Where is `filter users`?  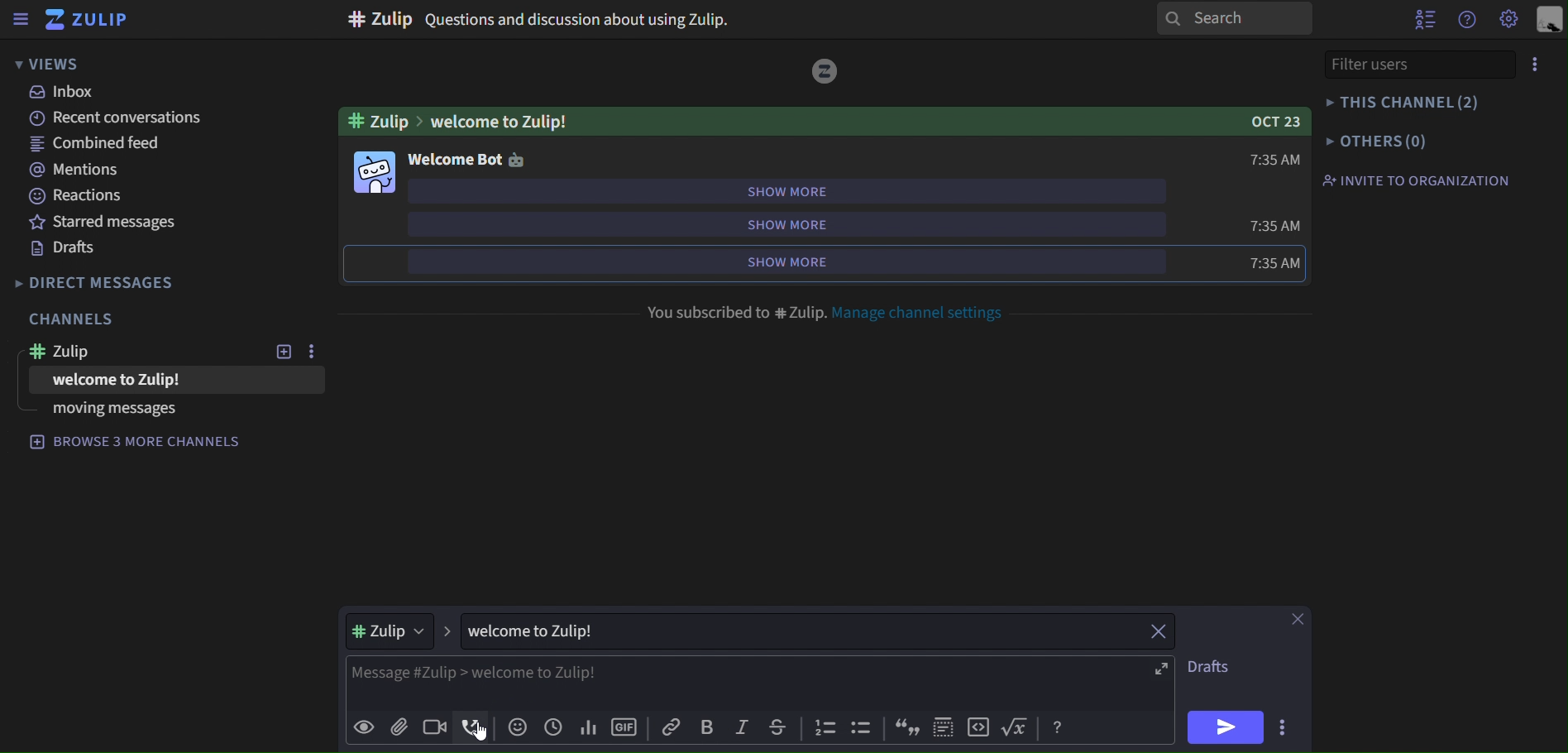
filter users is located at coordinates (1391, 65).